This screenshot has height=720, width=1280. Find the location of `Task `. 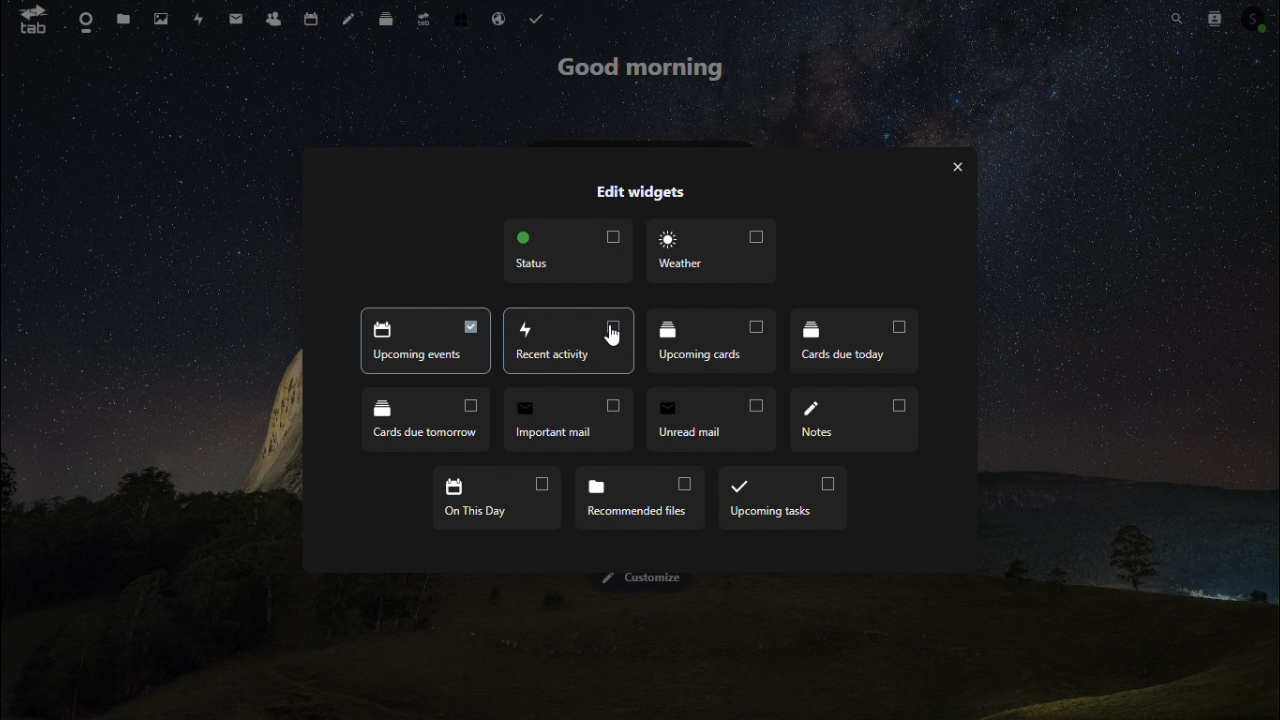

Task  is located at coordinates (538, 19).